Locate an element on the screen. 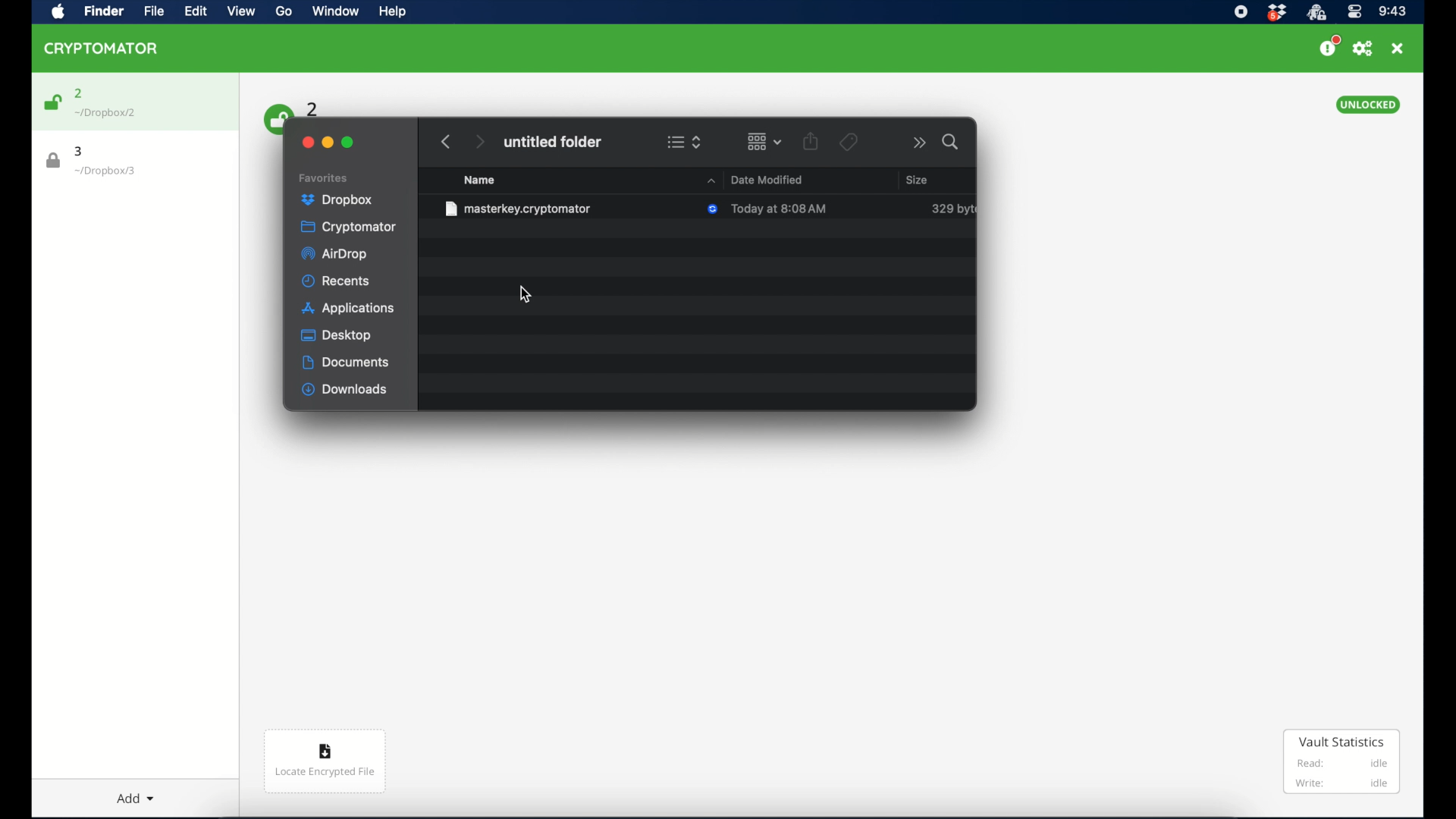 The height and width of the screenshot is (819, 1456). view options is located at coordinates (684, 142).